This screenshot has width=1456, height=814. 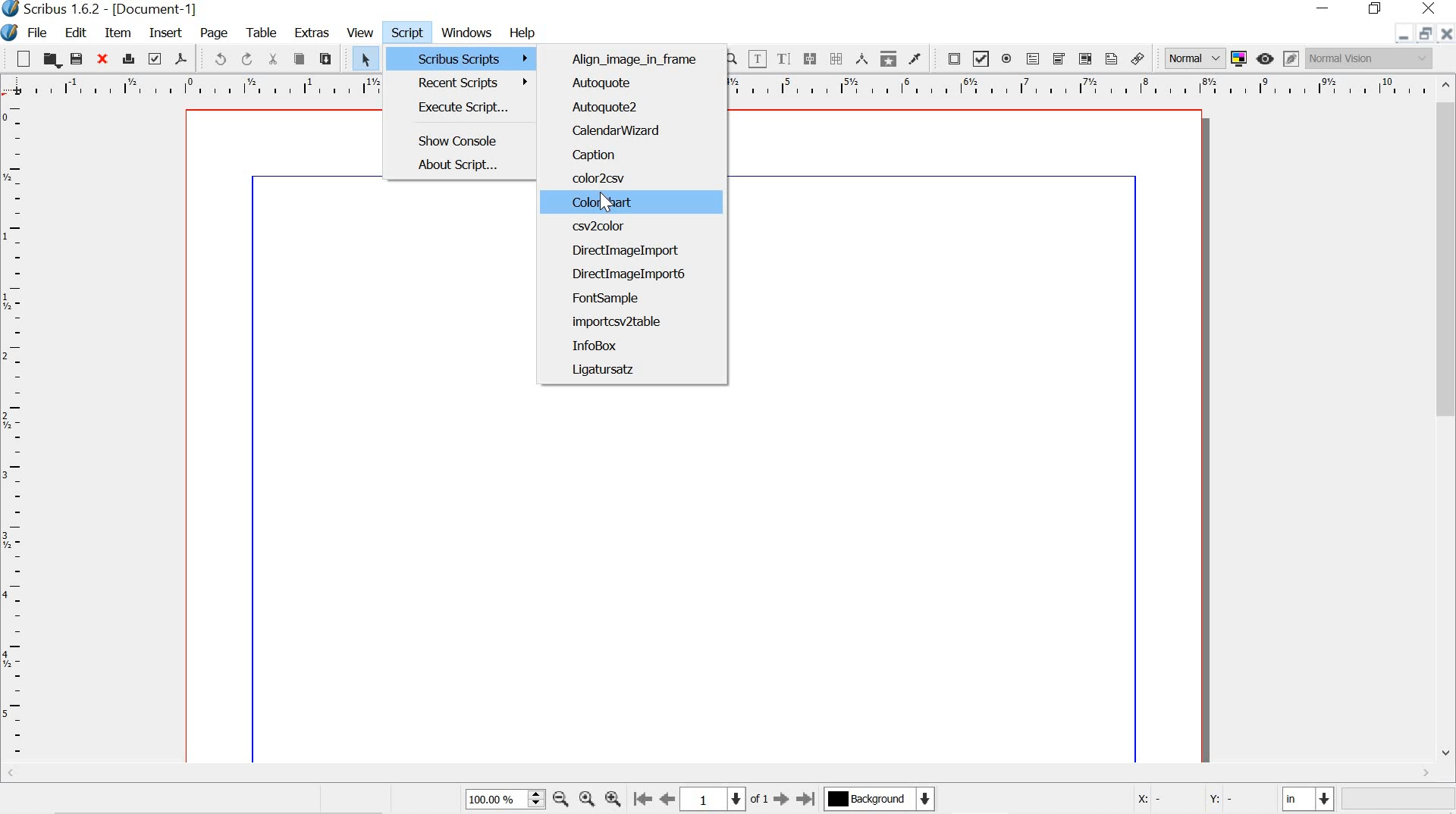 What do you see at coordinates (640, 798) in the screenshot?
I see `First page` at bounding box center [640, 798].